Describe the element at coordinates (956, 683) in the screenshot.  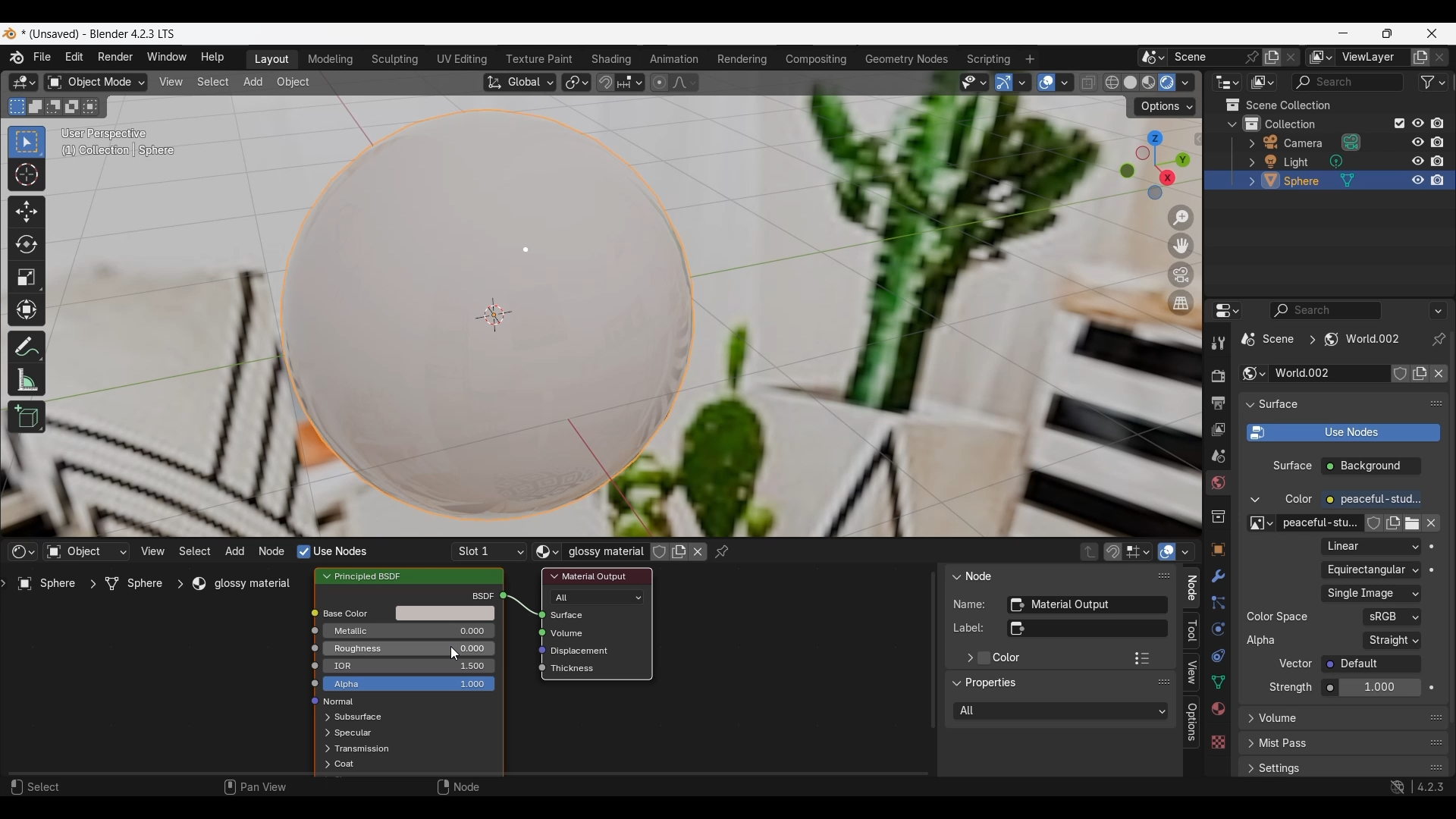
I see `Collapse` at that location.